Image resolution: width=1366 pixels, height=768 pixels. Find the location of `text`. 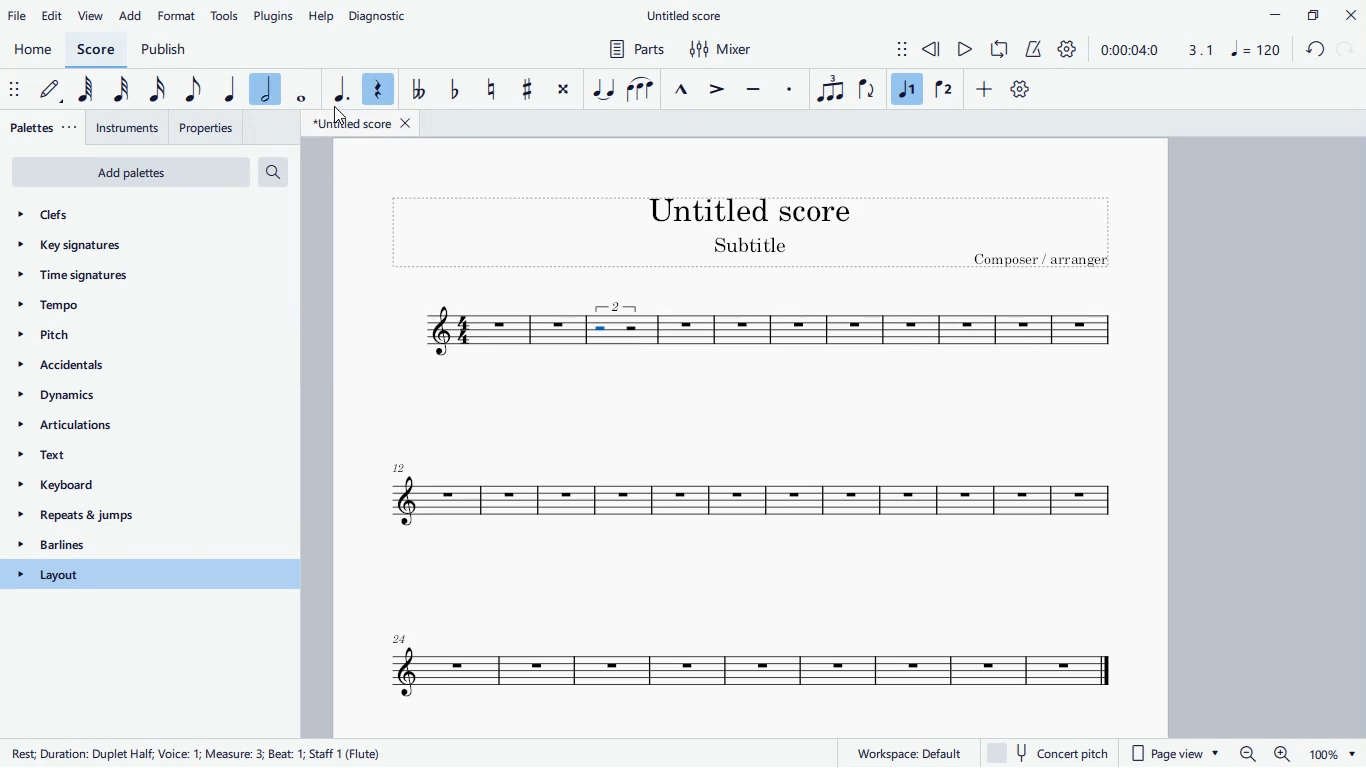

text is located at coordinates (141, 459).